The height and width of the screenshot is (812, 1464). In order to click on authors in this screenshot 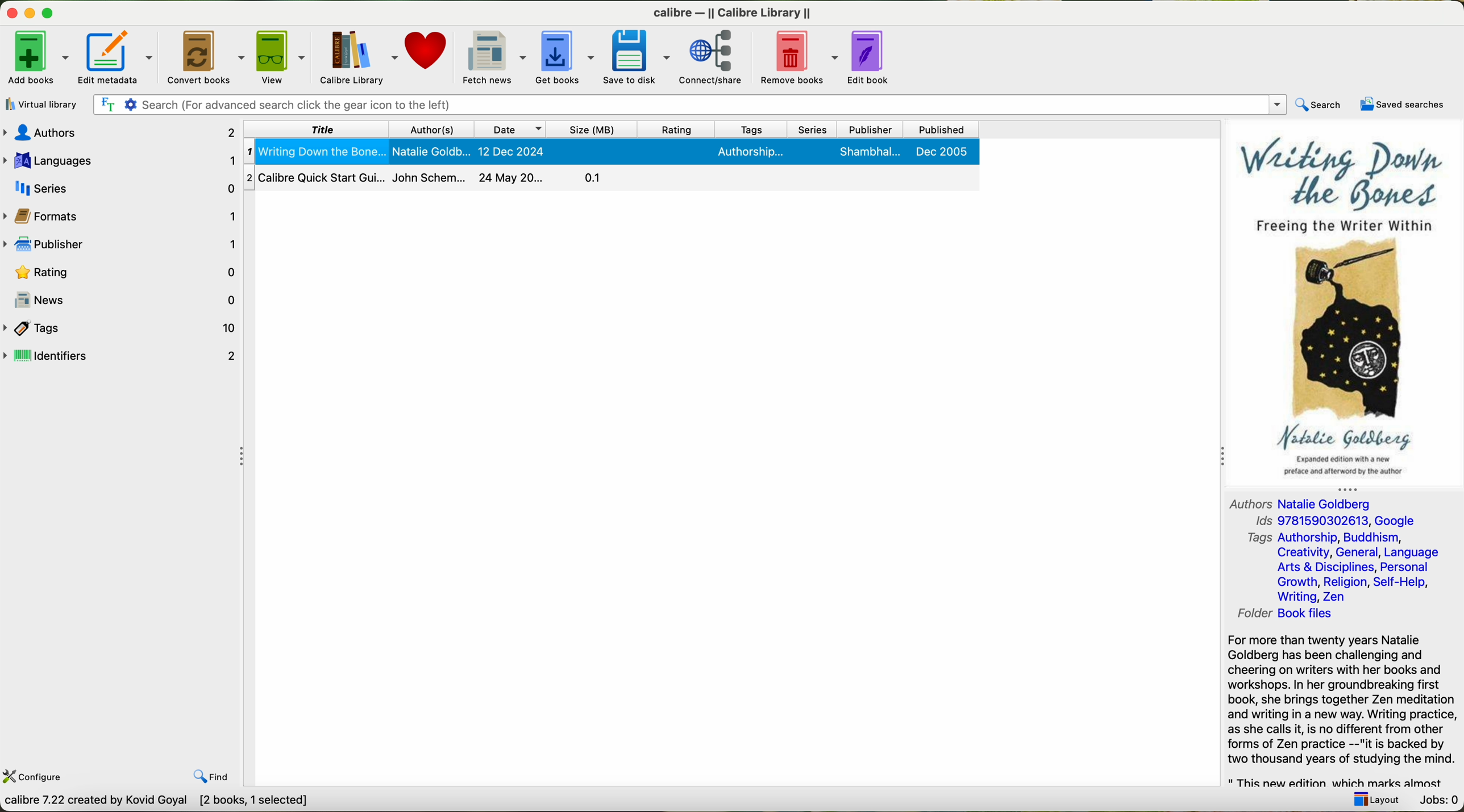, I will do `click(1309, 503)`.